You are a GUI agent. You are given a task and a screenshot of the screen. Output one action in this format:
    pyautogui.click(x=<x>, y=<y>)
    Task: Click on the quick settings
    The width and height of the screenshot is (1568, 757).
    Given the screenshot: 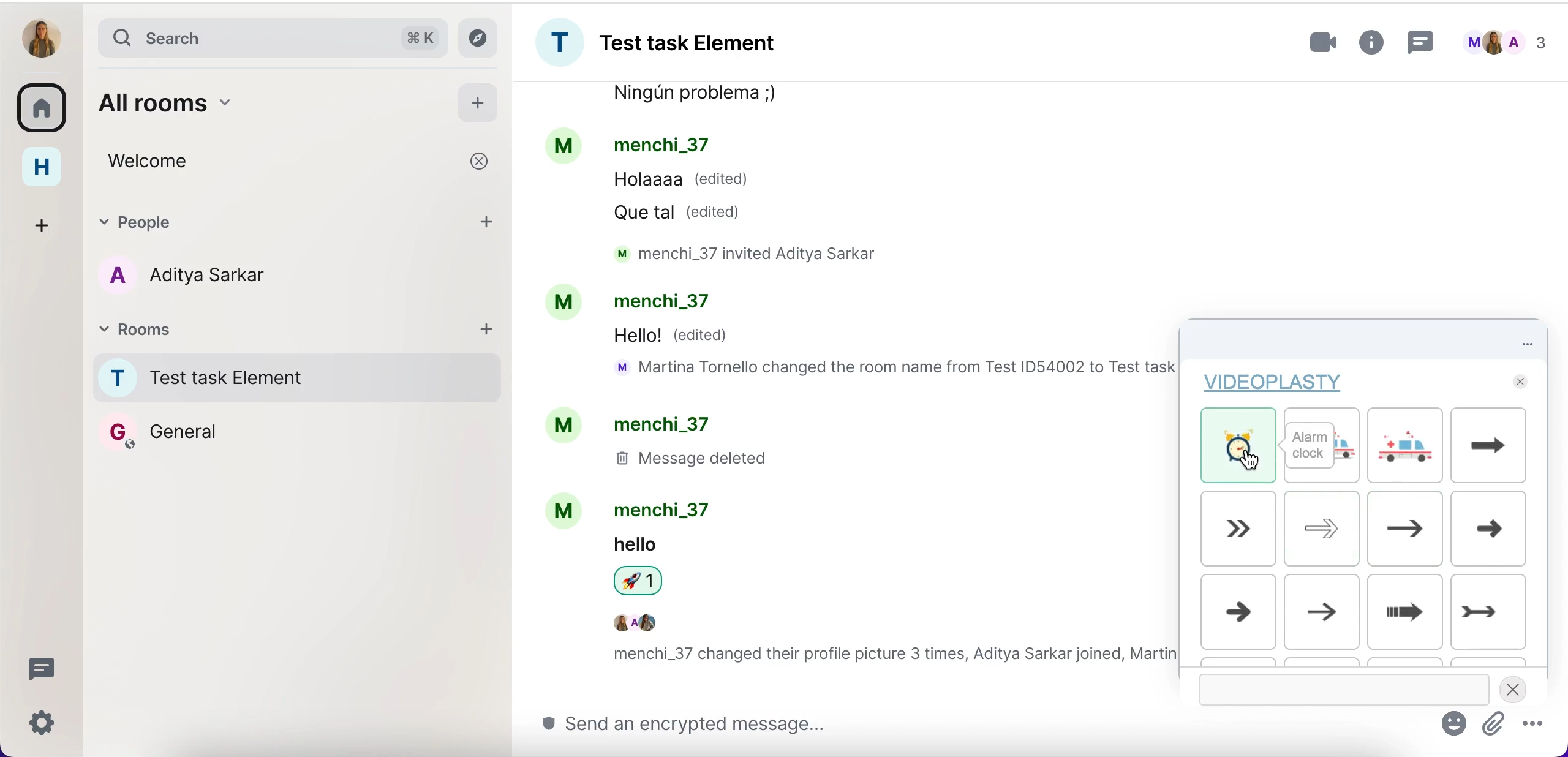 What is the action you would take?
    pyautogui.click(x=43, y=723)
    